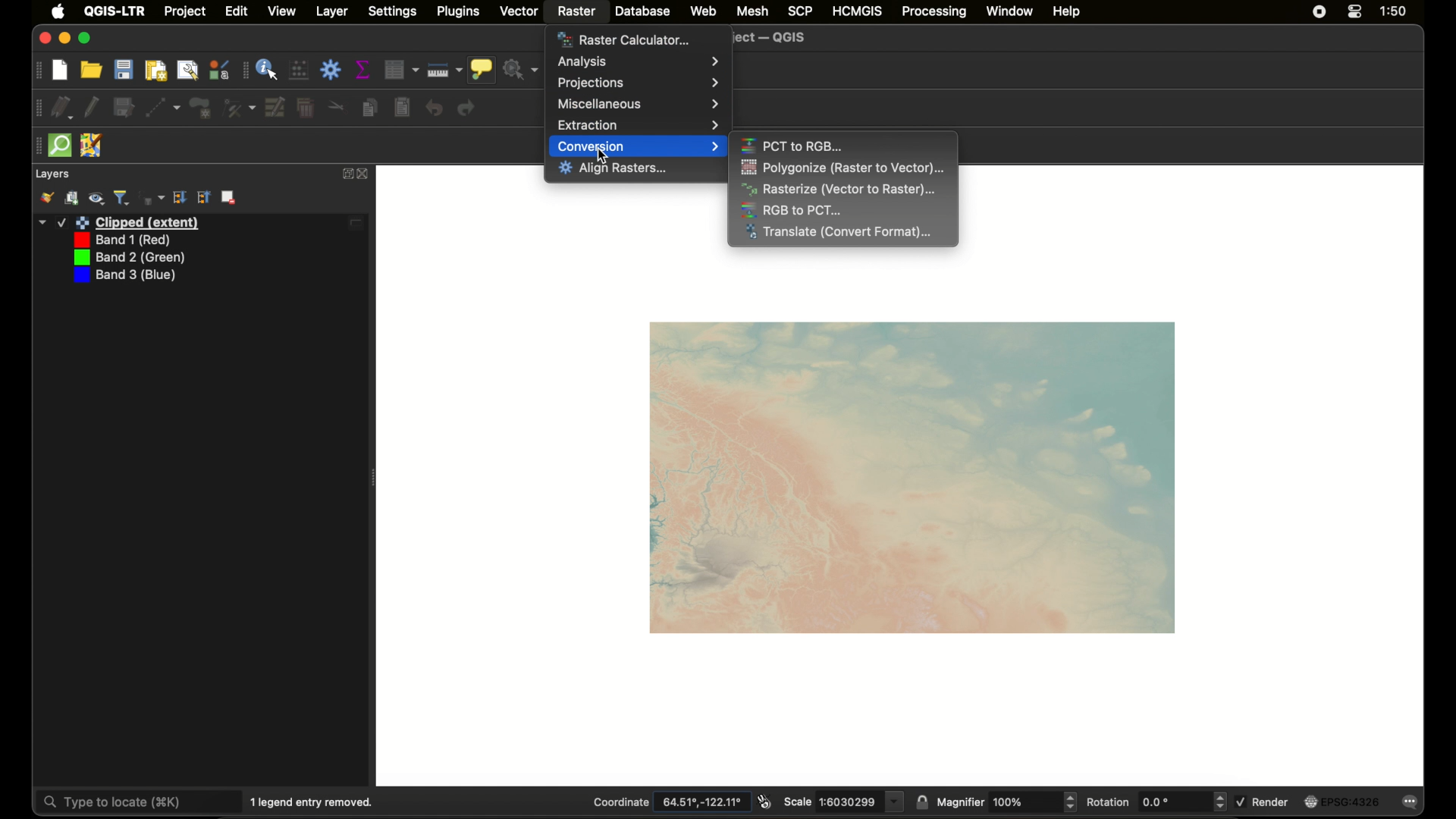  What do you see at coordinates (274, 107) in the screenshot?
I see `modify attributes` at bounding box center [274, 107].